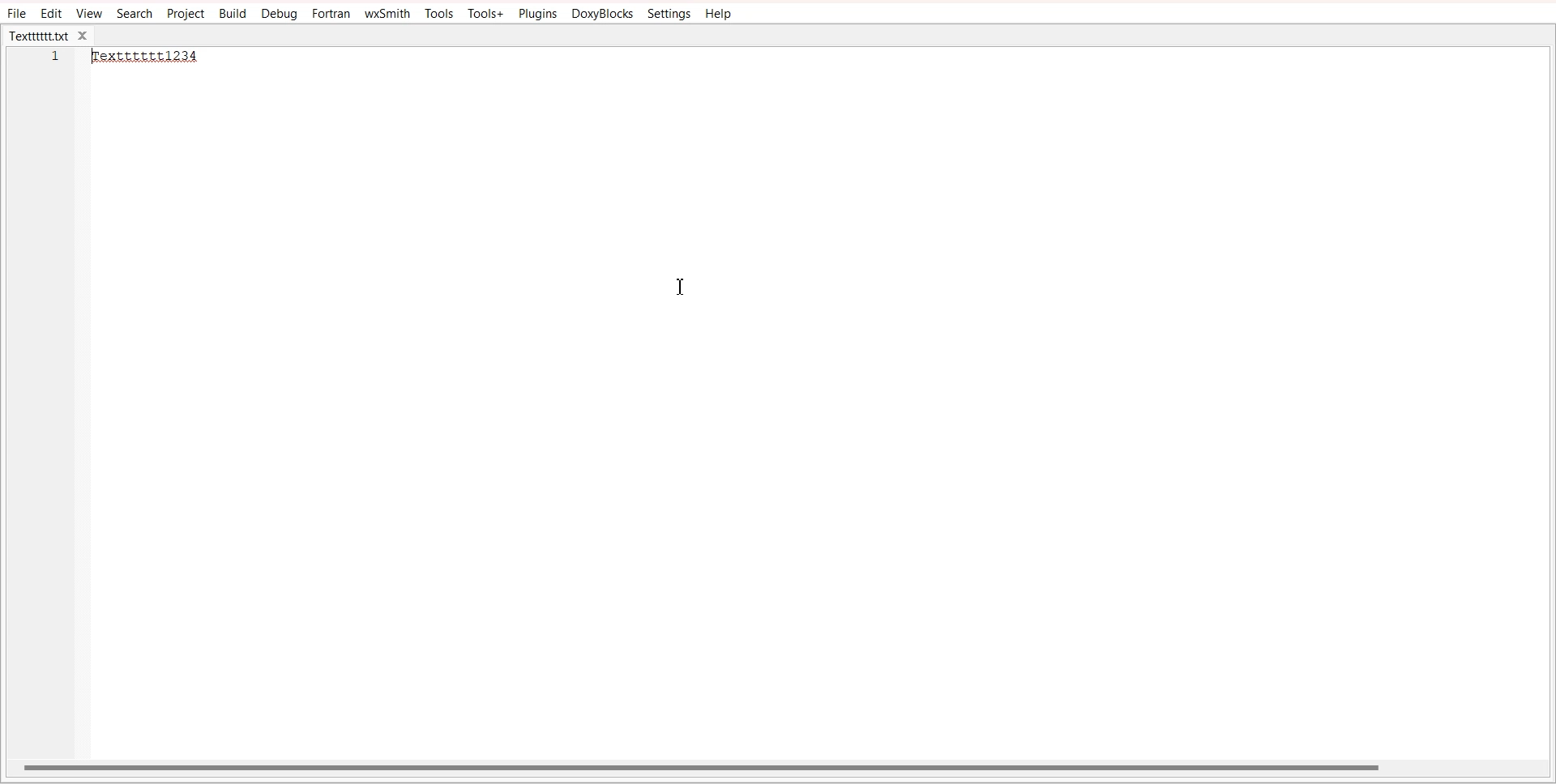 Image resolution: width=1556 pixels, height=784 pixels. I want to click on Horizontal scroll bar, so click(778, 767).